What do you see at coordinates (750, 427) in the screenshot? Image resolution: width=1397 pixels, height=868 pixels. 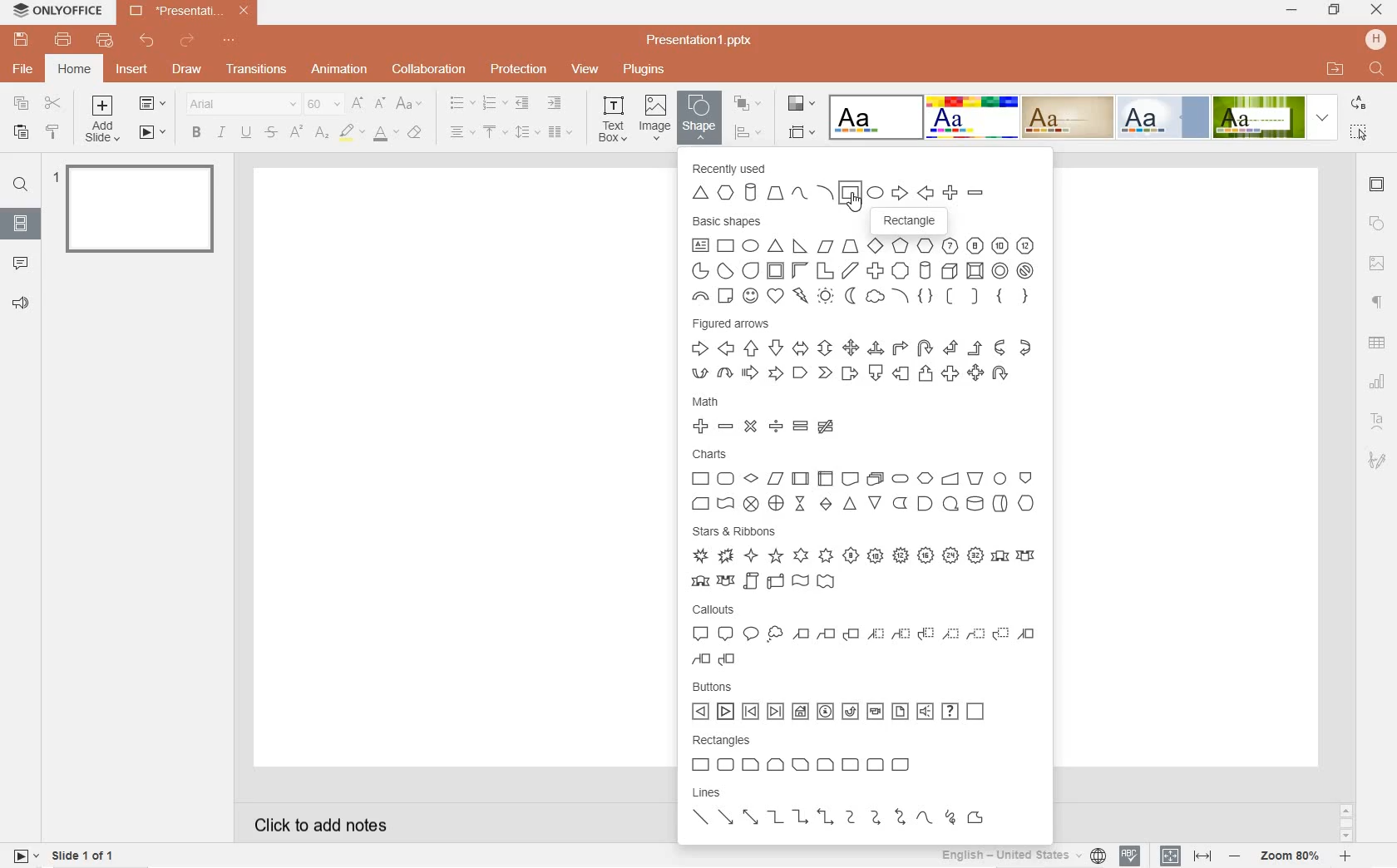 I see `Multiply` at bounding box center [750, 427].